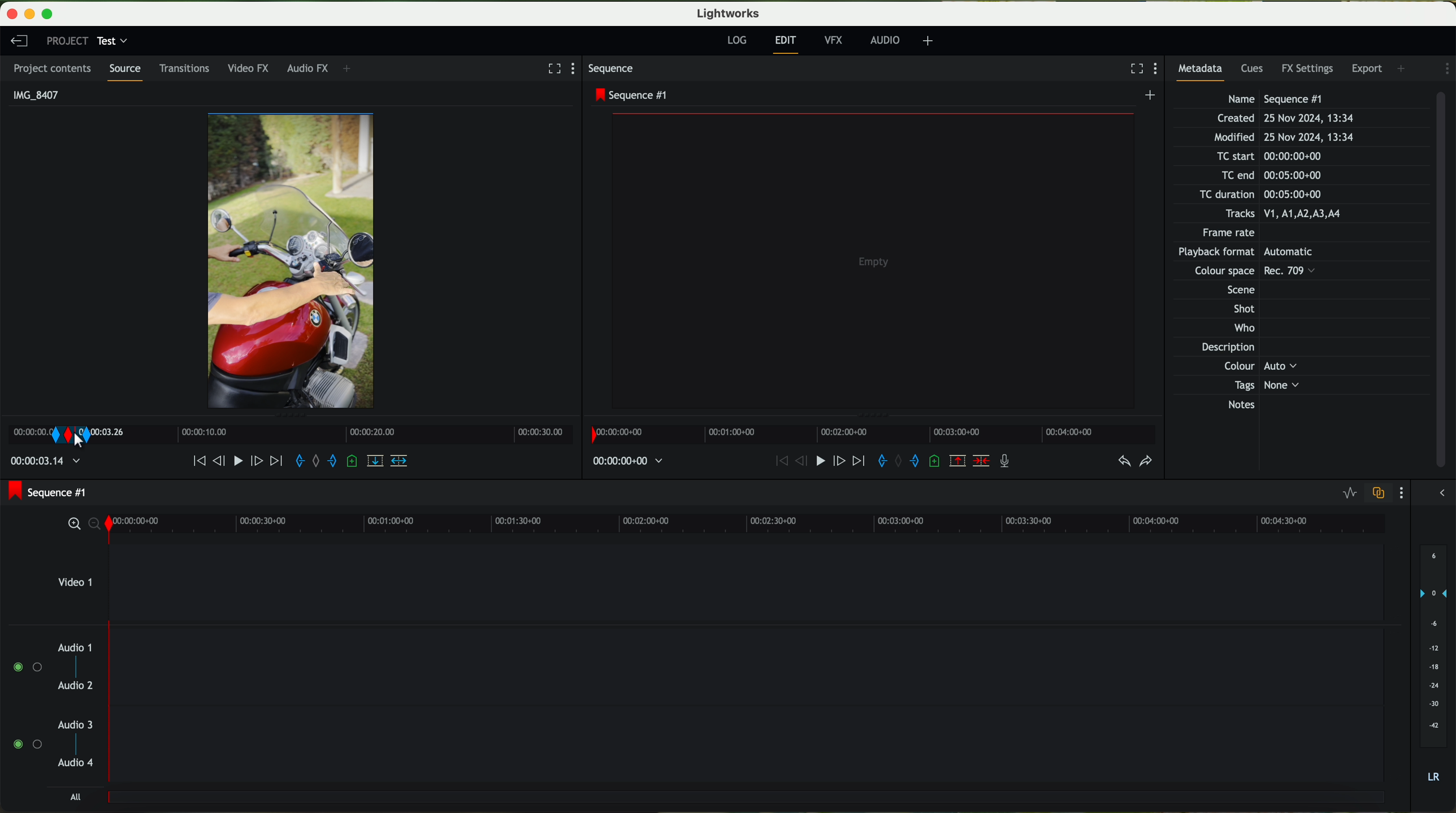  Describe the element at coordinates (18, 40) in the screenshot. I see `leave` at that location.